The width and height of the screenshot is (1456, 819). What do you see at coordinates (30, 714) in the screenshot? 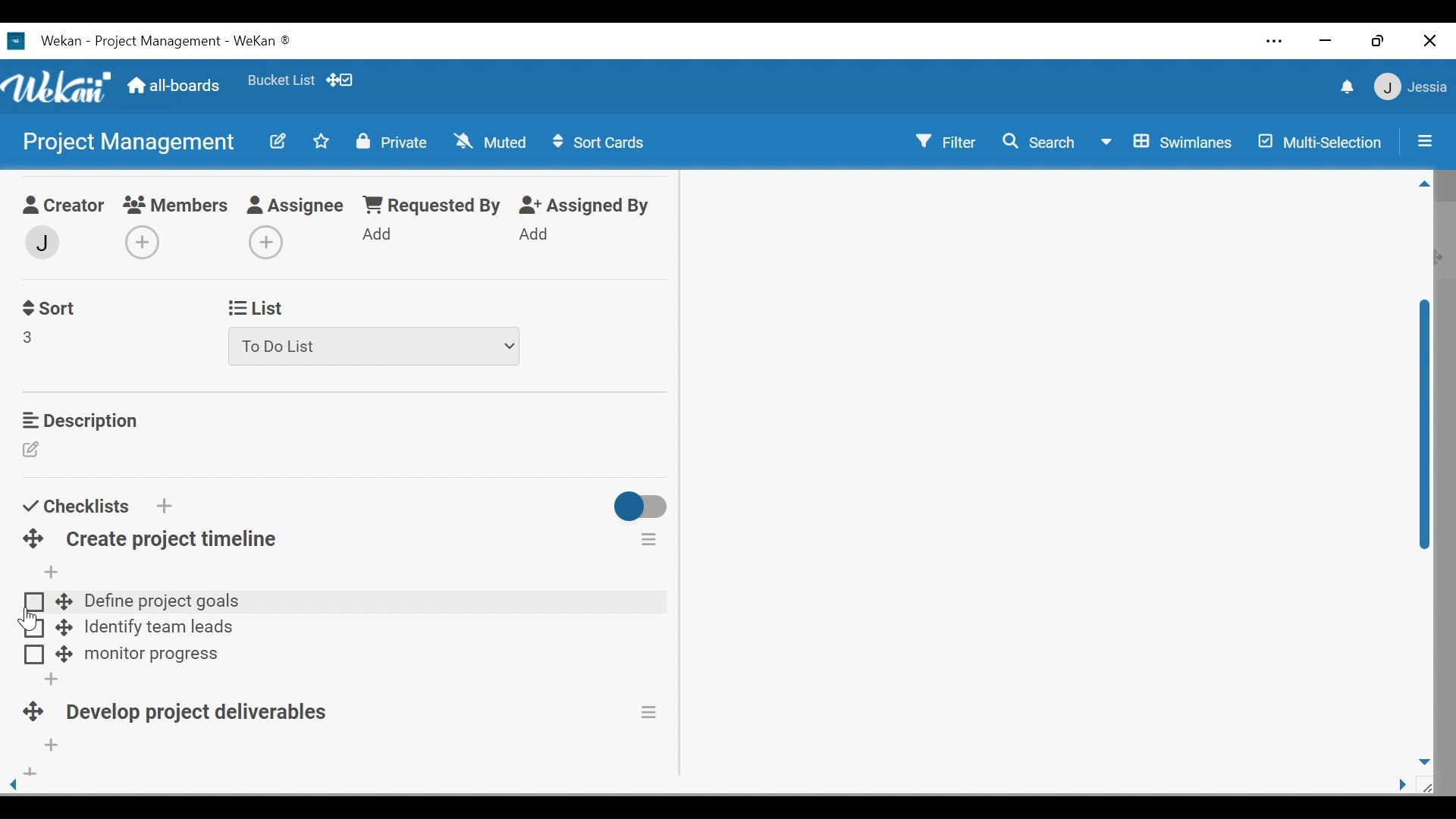
I see `Desktop drag handles` at bounding box center [30, 714].